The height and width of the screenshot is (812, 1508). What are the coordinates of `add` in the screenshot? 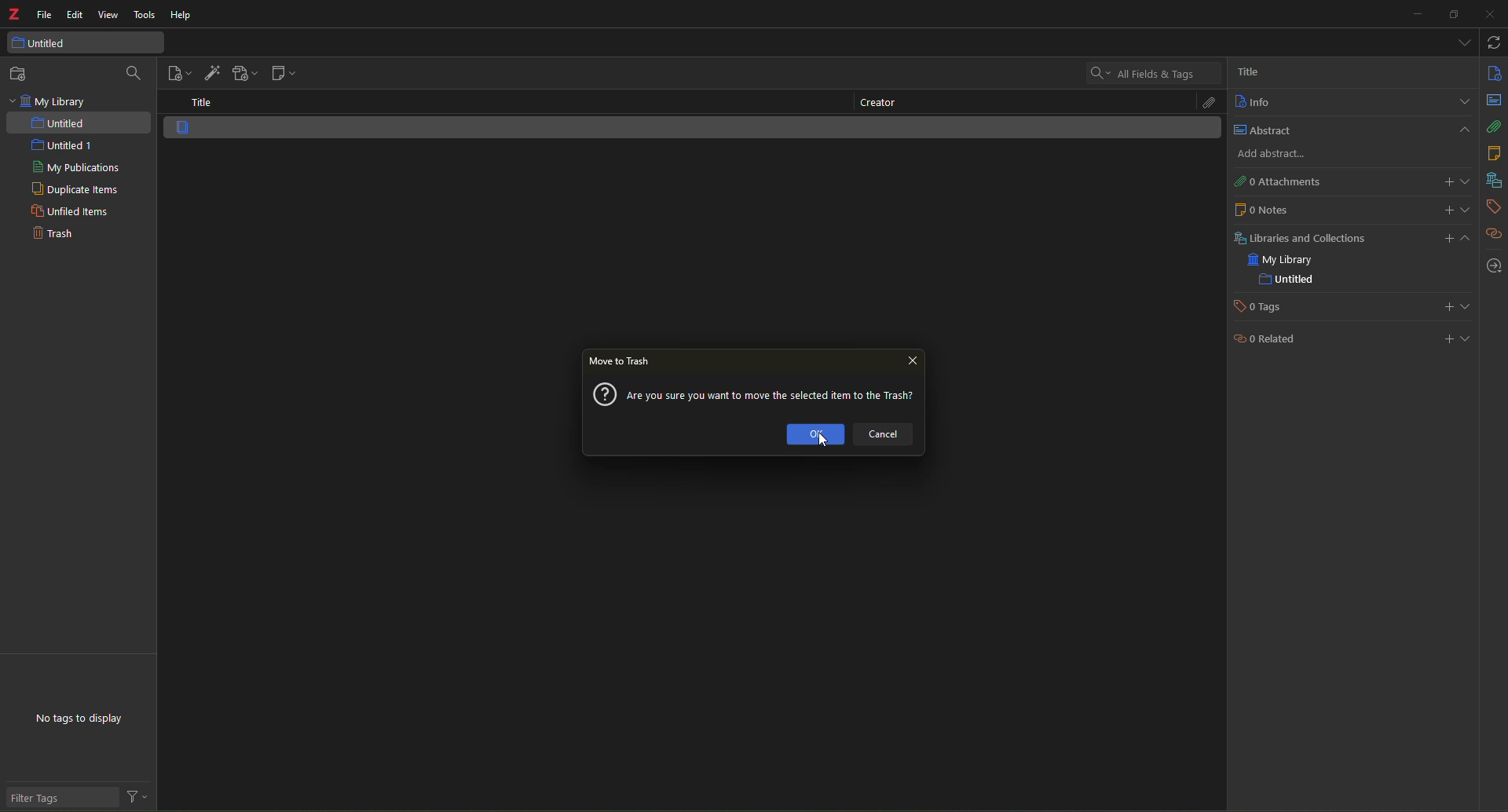 It's located at (1455, 237).